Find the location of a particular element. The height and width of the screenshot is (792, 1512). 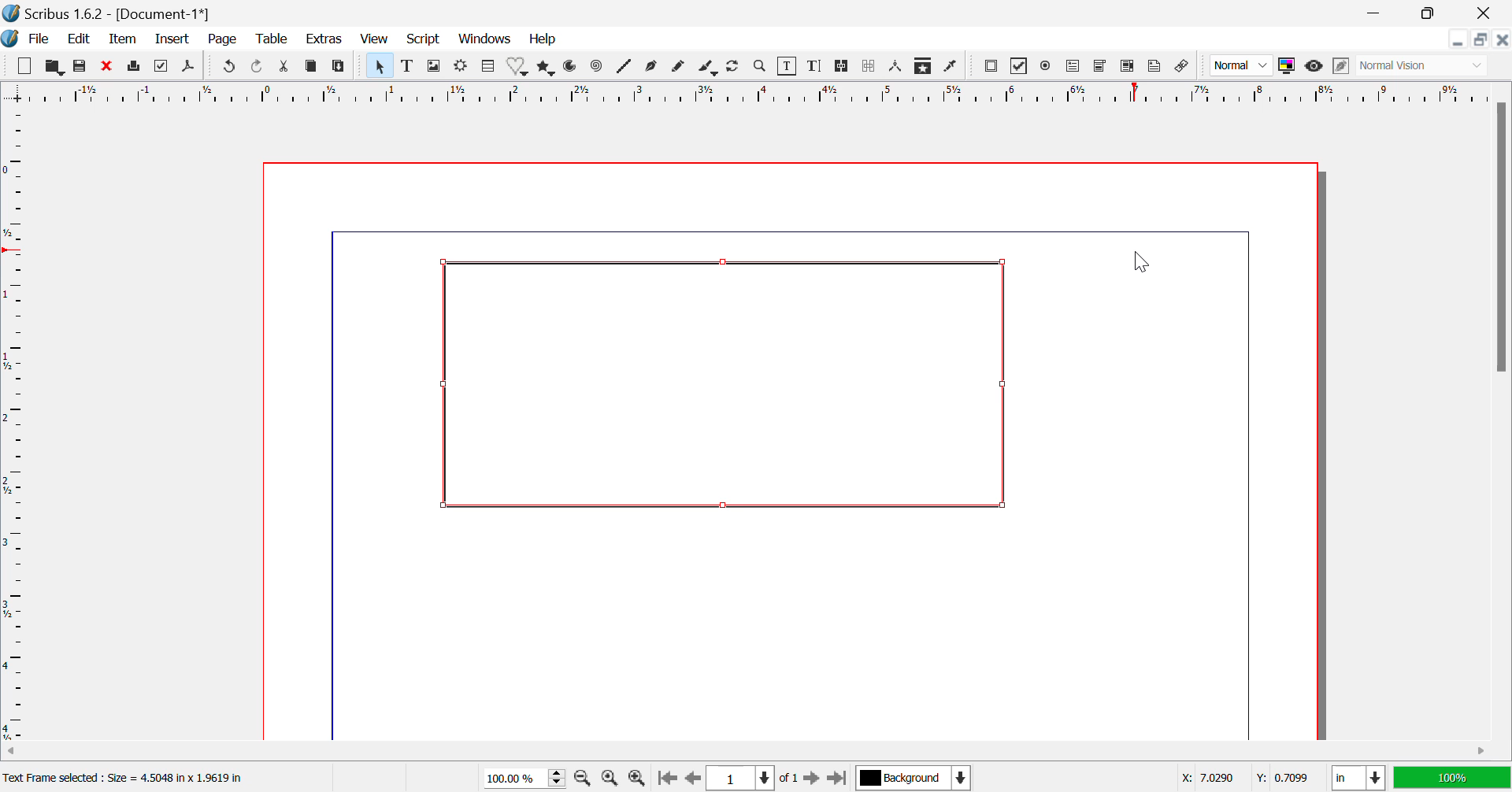

Redo is located at coordinates (257, 68).